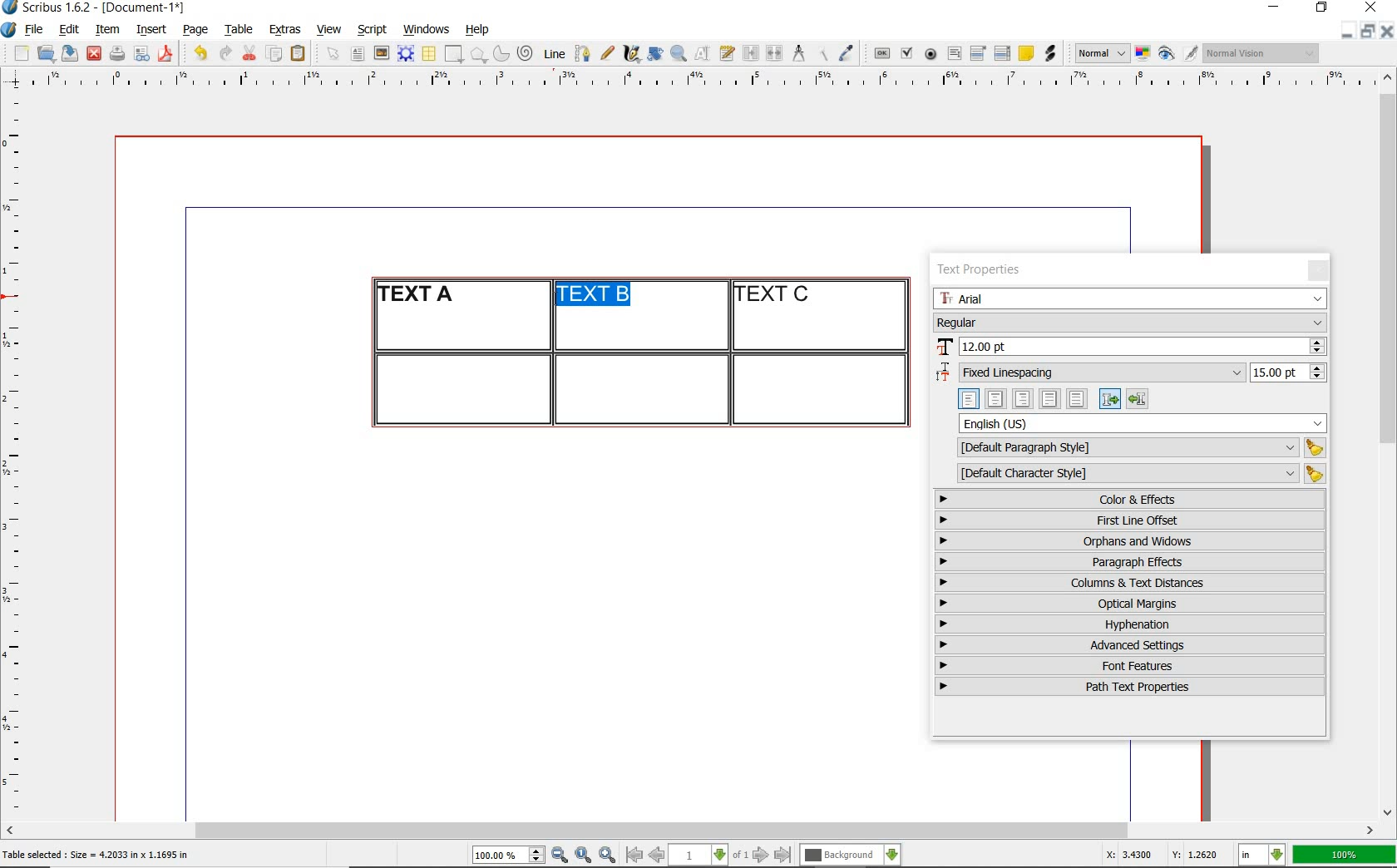 This screenshot has width=1397, height=868. I want to click on color & effects, so click(1132, 499).